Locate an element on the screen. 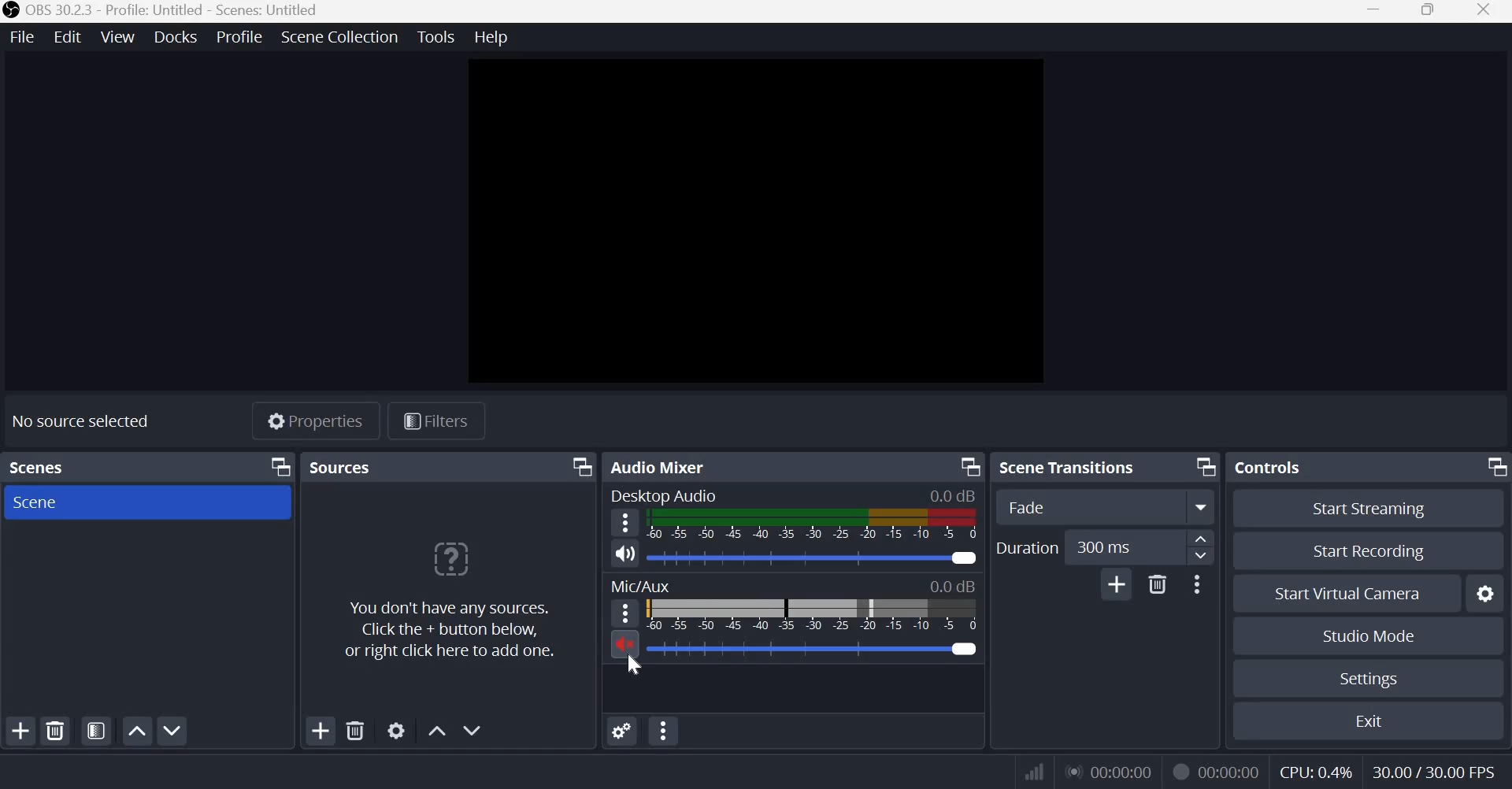  Add source(s) is located at coordinates (318, 731).